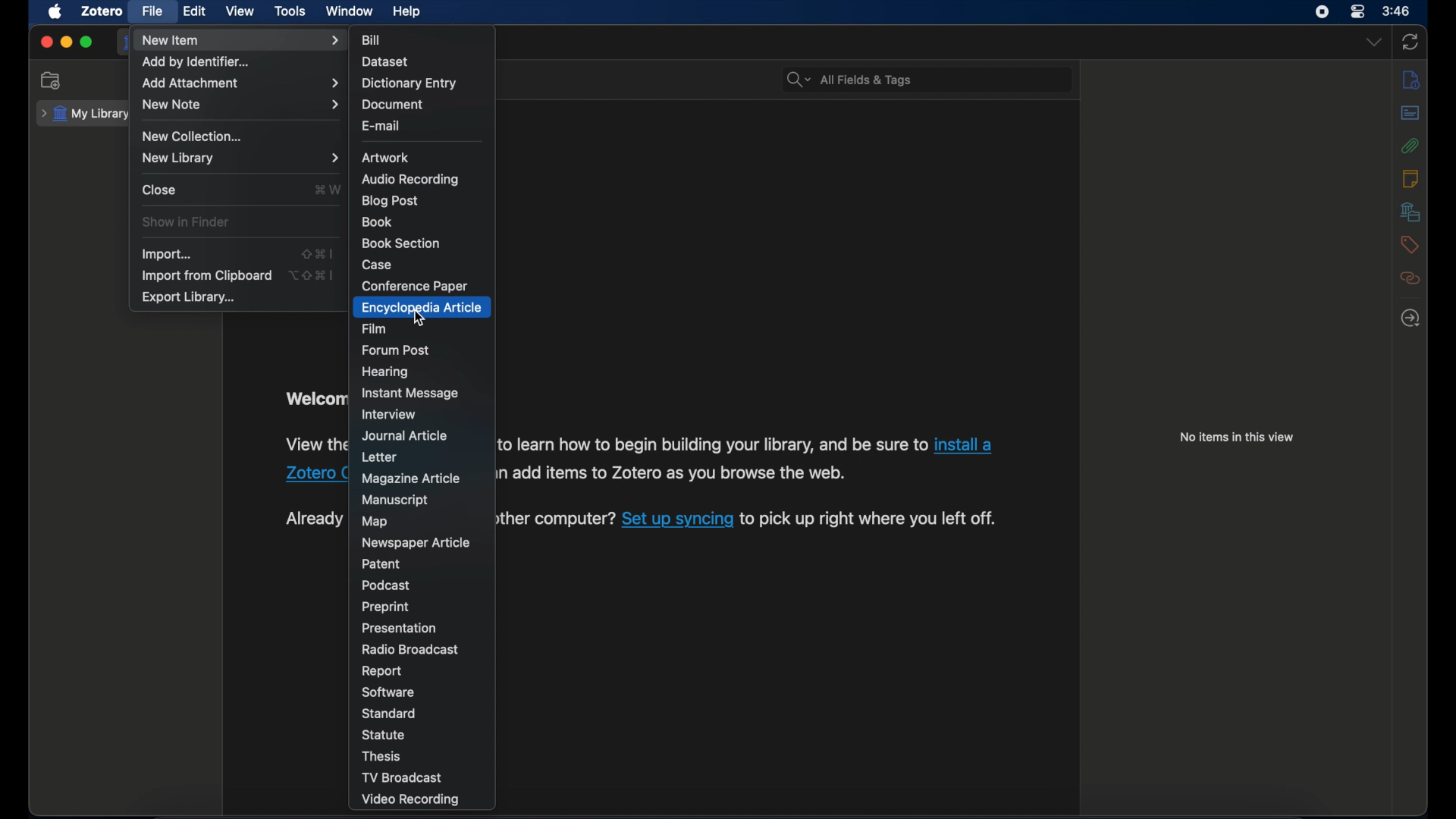 The image size is (1456, 819). I want to click on related, so click(1410, 278).